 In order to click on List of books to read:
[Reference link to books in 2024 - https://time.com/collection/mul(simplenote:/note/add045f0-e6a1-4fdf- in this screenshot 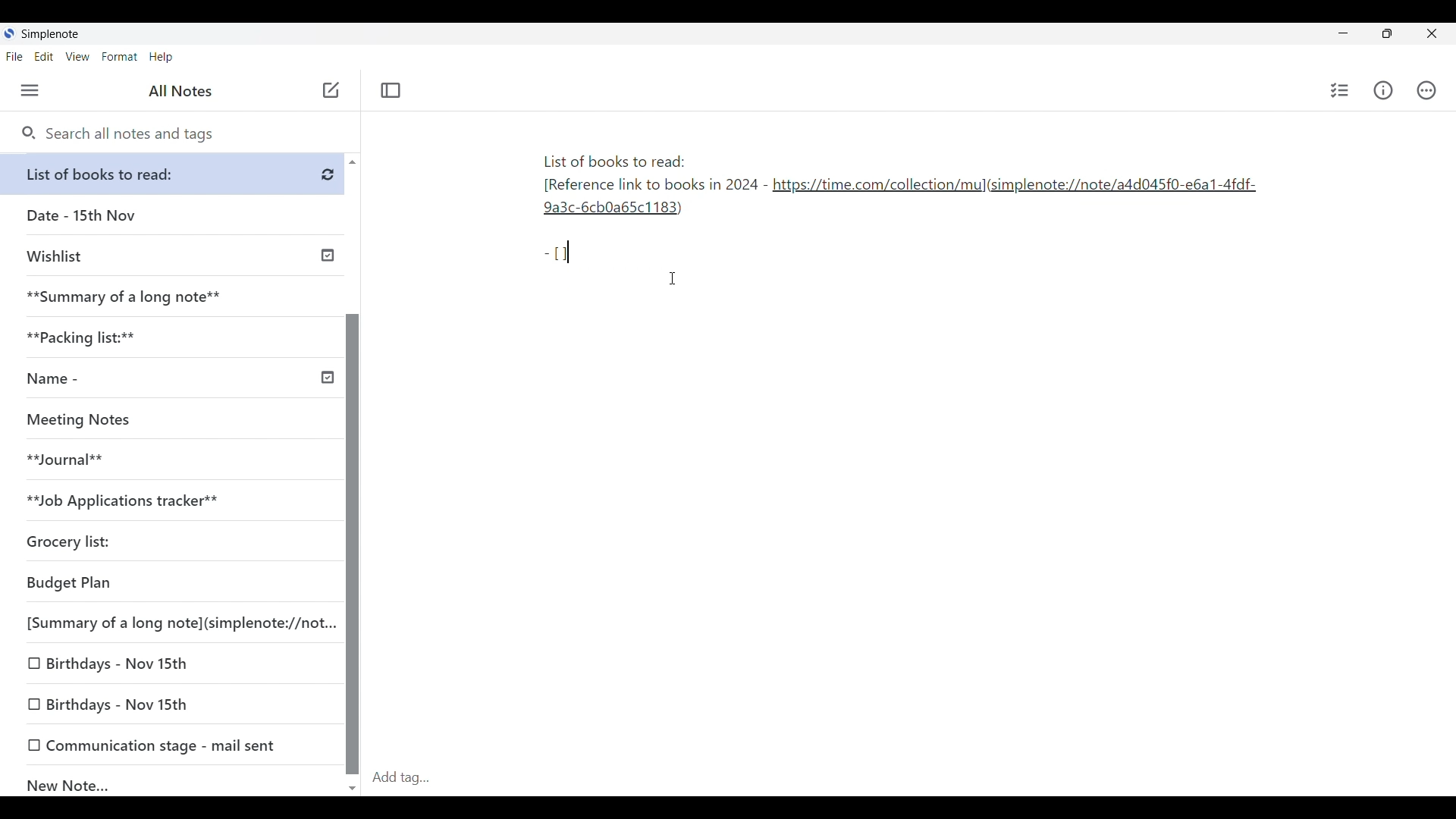, I will do `click(897, 188)`.